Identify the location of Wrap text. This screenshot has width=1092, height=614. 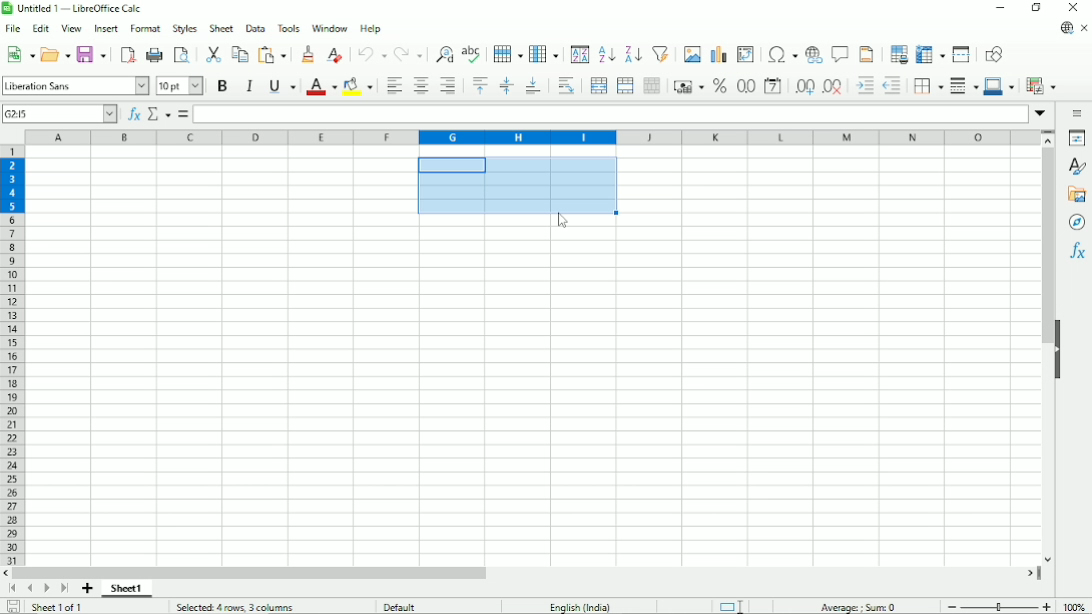
(565, 86).